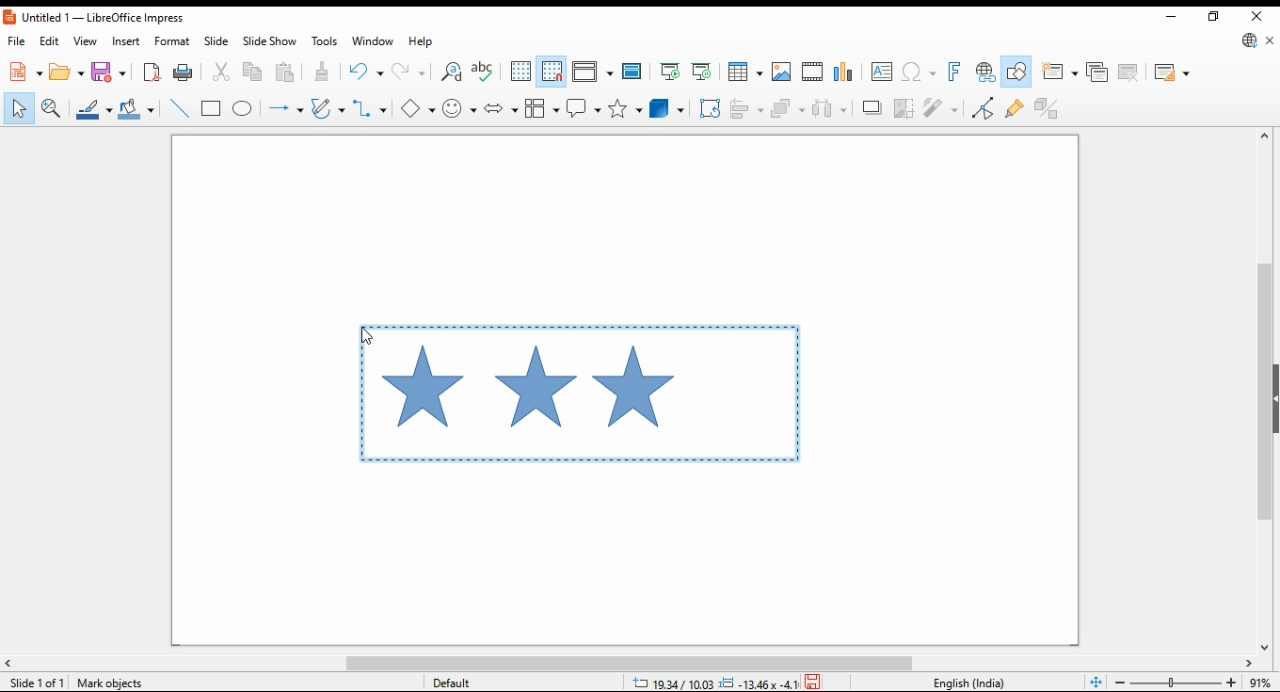 The width and height of the screenshot is (1280, 692). Describe the element at coordinates (919, 72) in the screenshot. I see `insert special characters` at that location.